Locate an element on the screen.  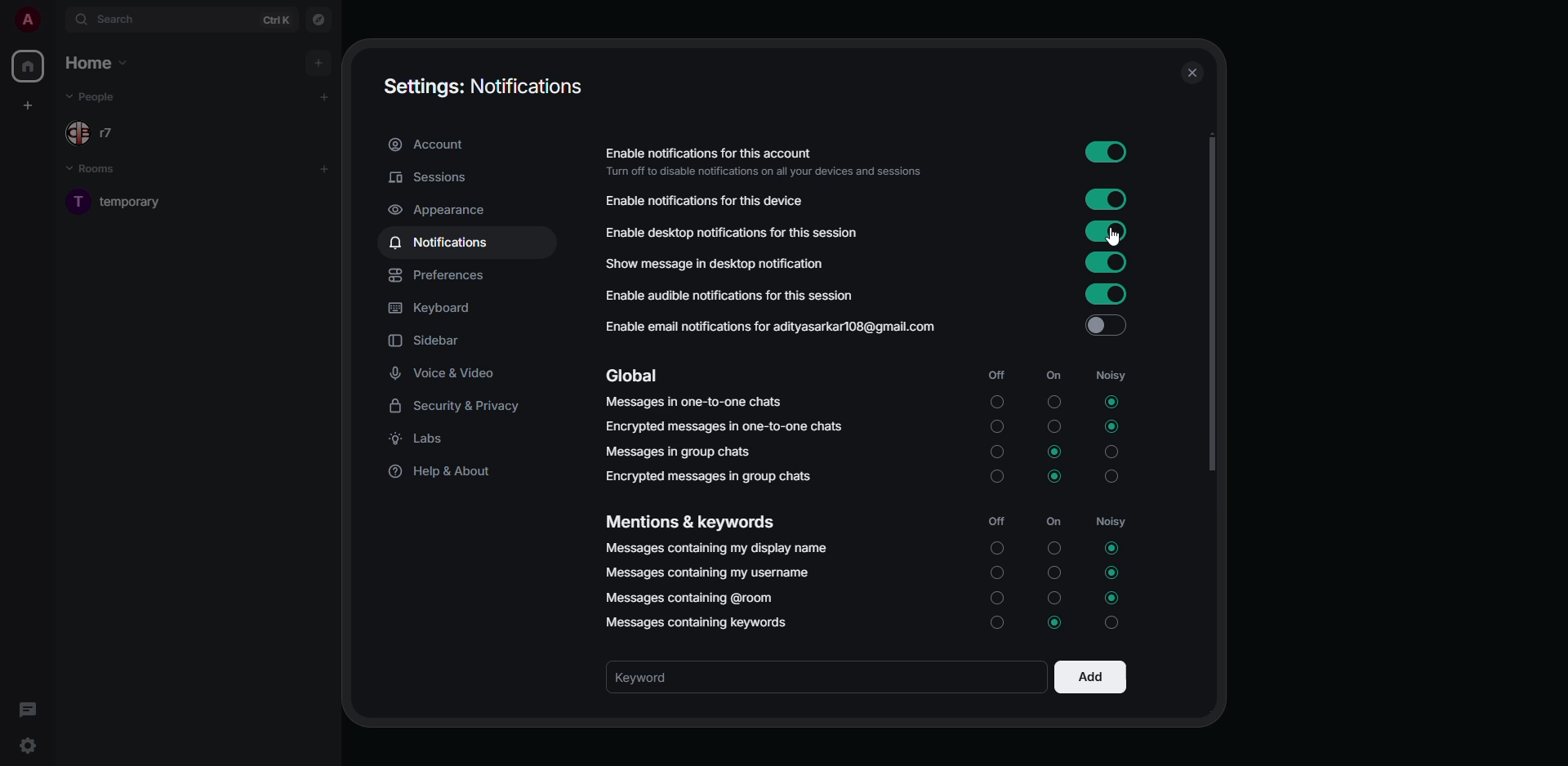
click to enable/disable is located at coordinates (1104, 263).